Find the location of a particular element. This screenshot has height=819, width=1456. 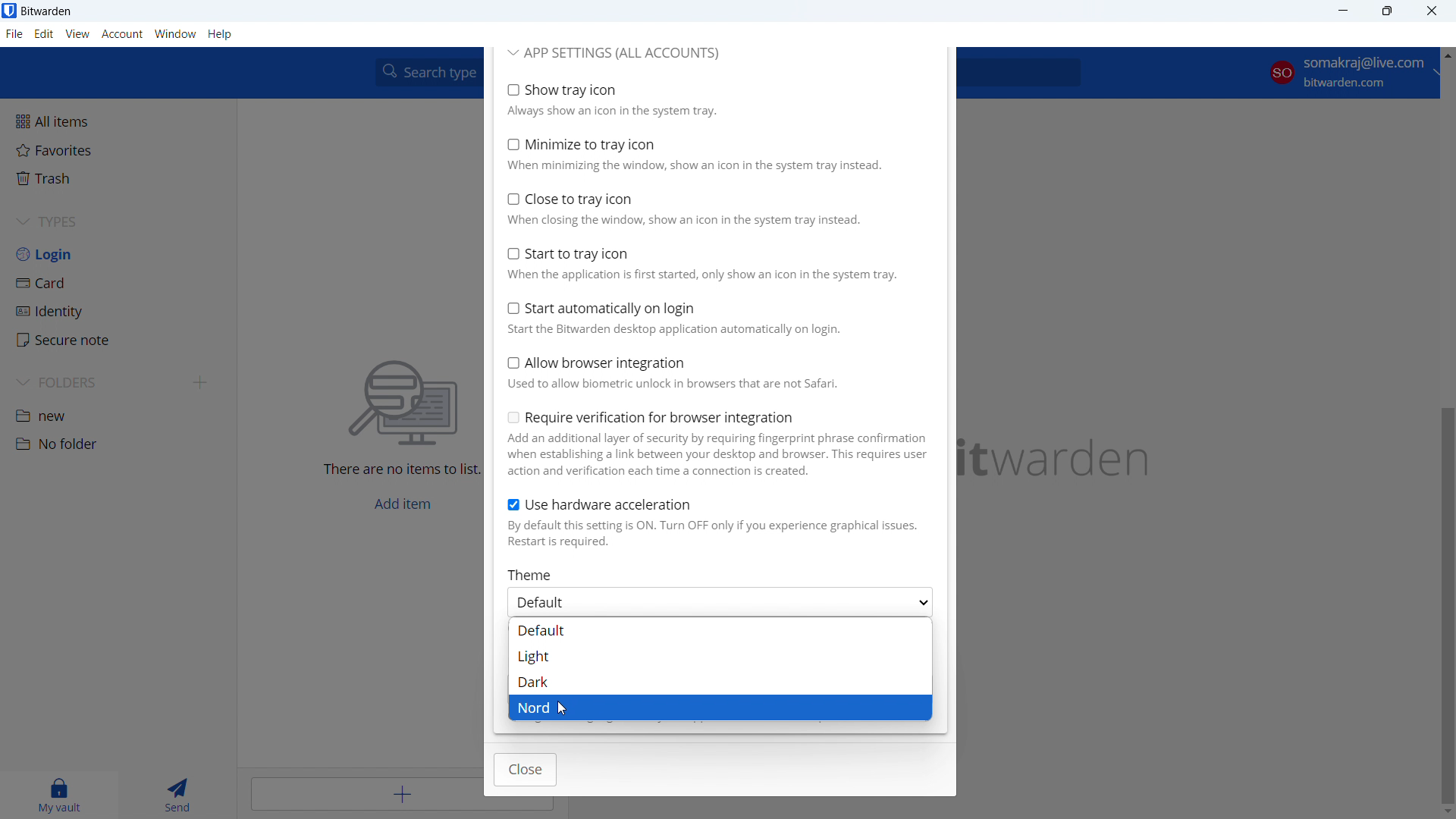

send is located at coordinates (174, 795).